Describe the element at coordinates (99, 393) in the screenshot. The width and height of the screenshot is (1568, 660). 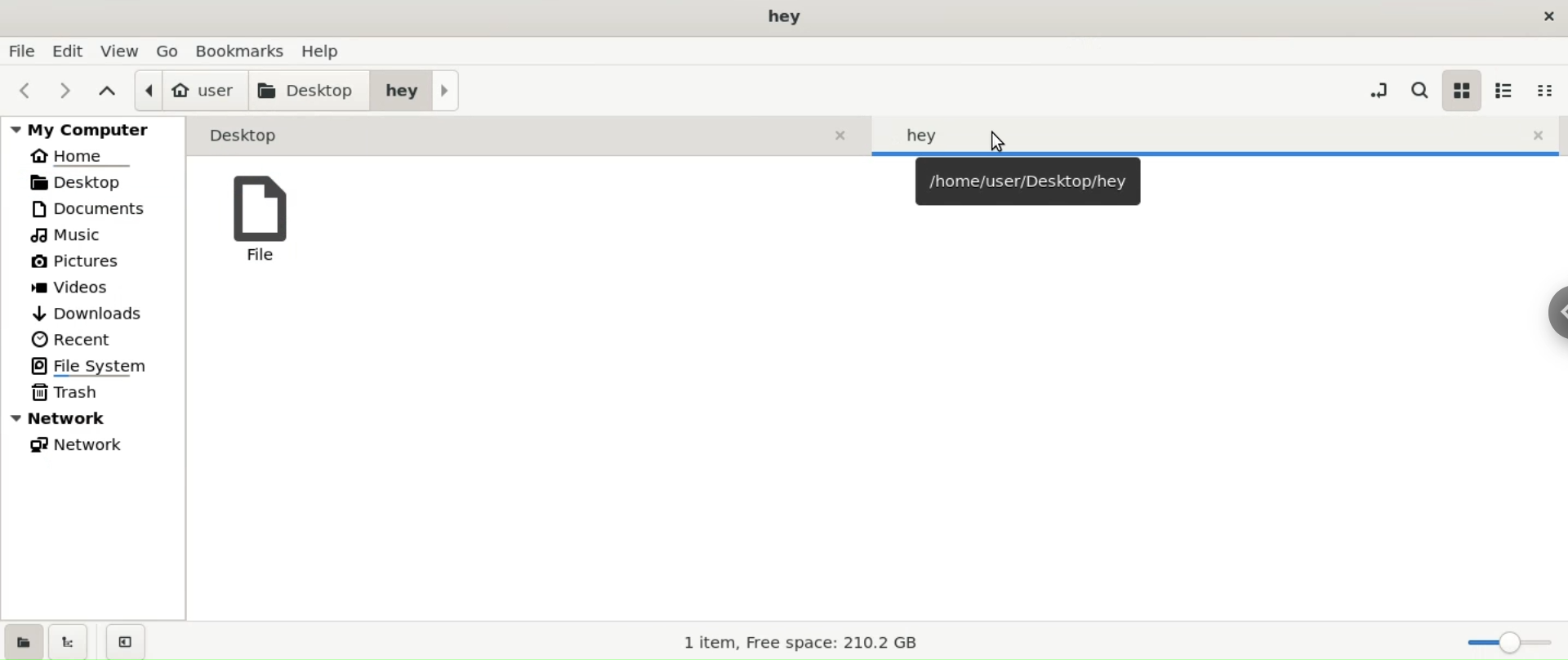
I see `trash` at that location.